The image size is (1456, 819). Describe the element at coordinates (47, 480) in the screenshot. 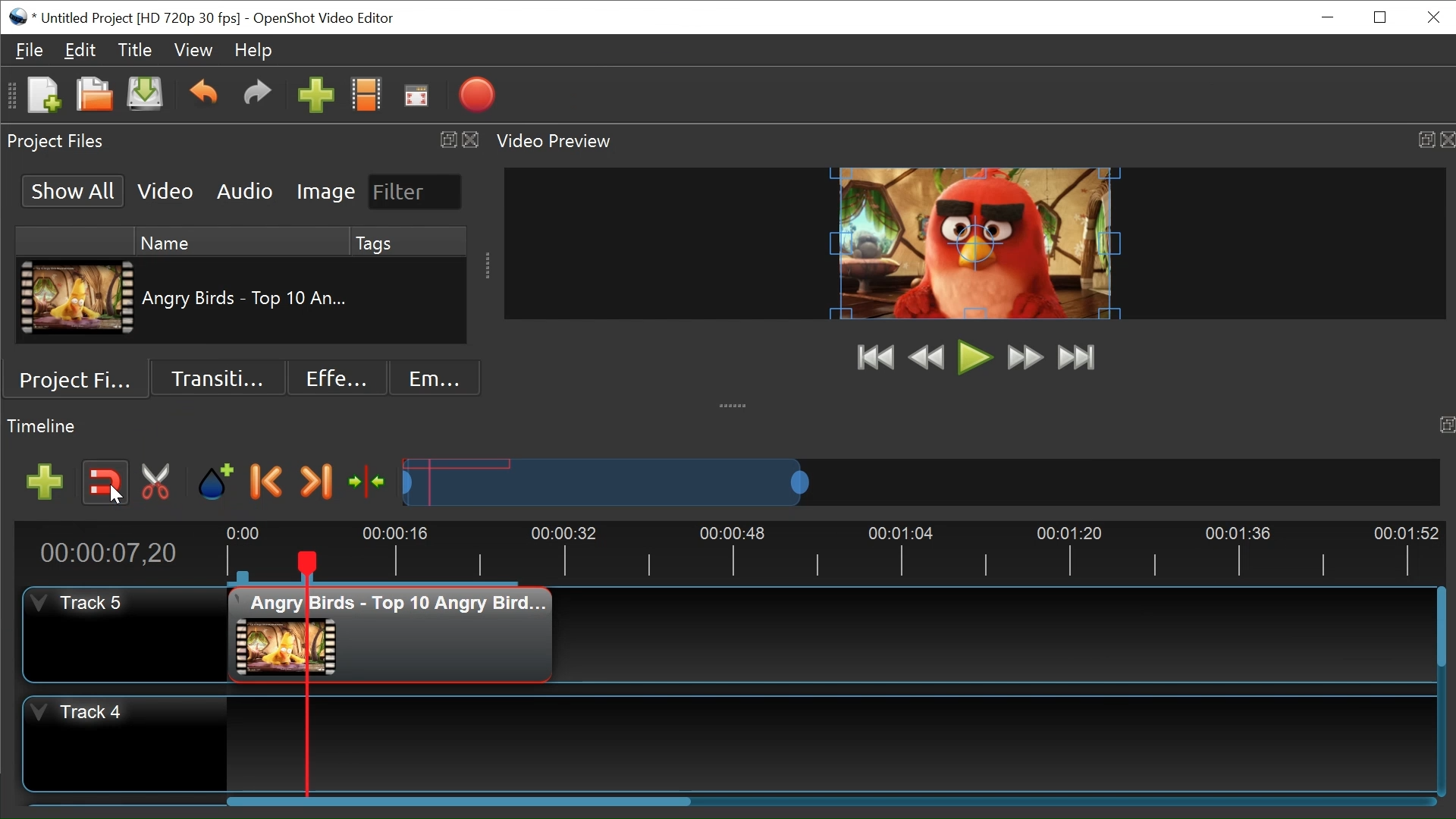

I see `Add Track` at that location.